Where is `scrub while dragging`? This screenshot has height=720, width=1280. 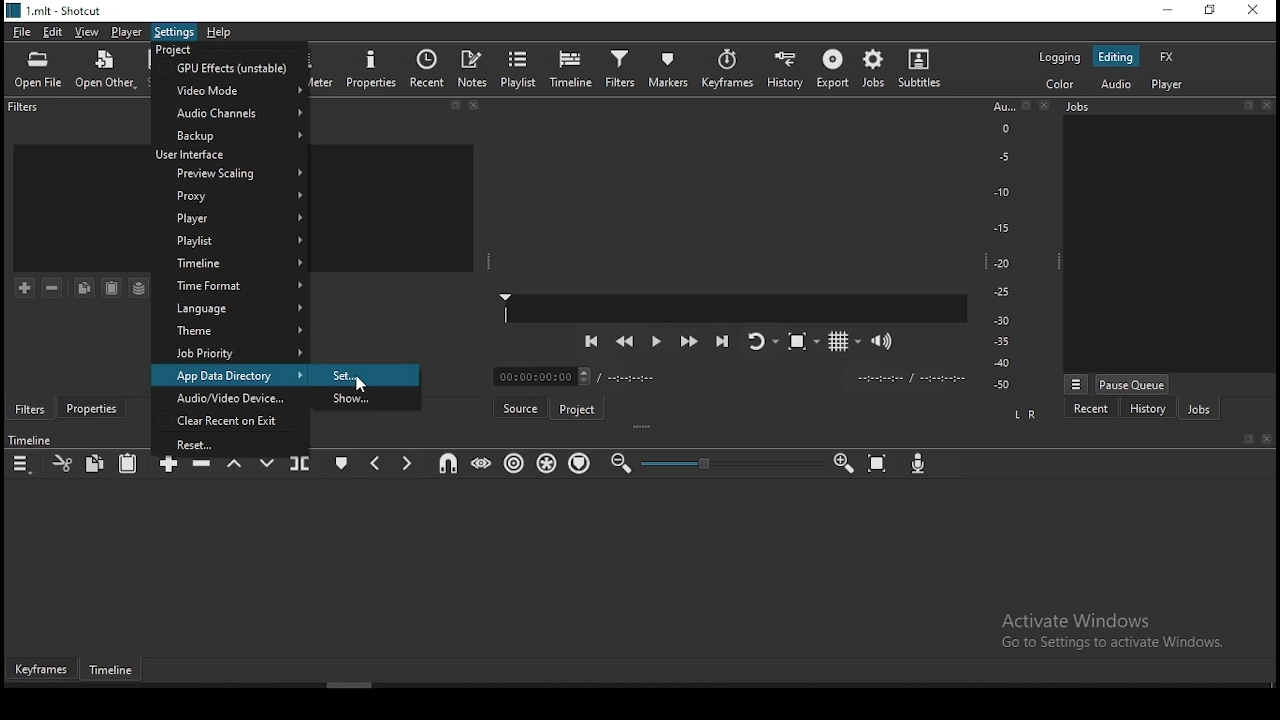
scrub while dragging is located at coordinates (479, 465).